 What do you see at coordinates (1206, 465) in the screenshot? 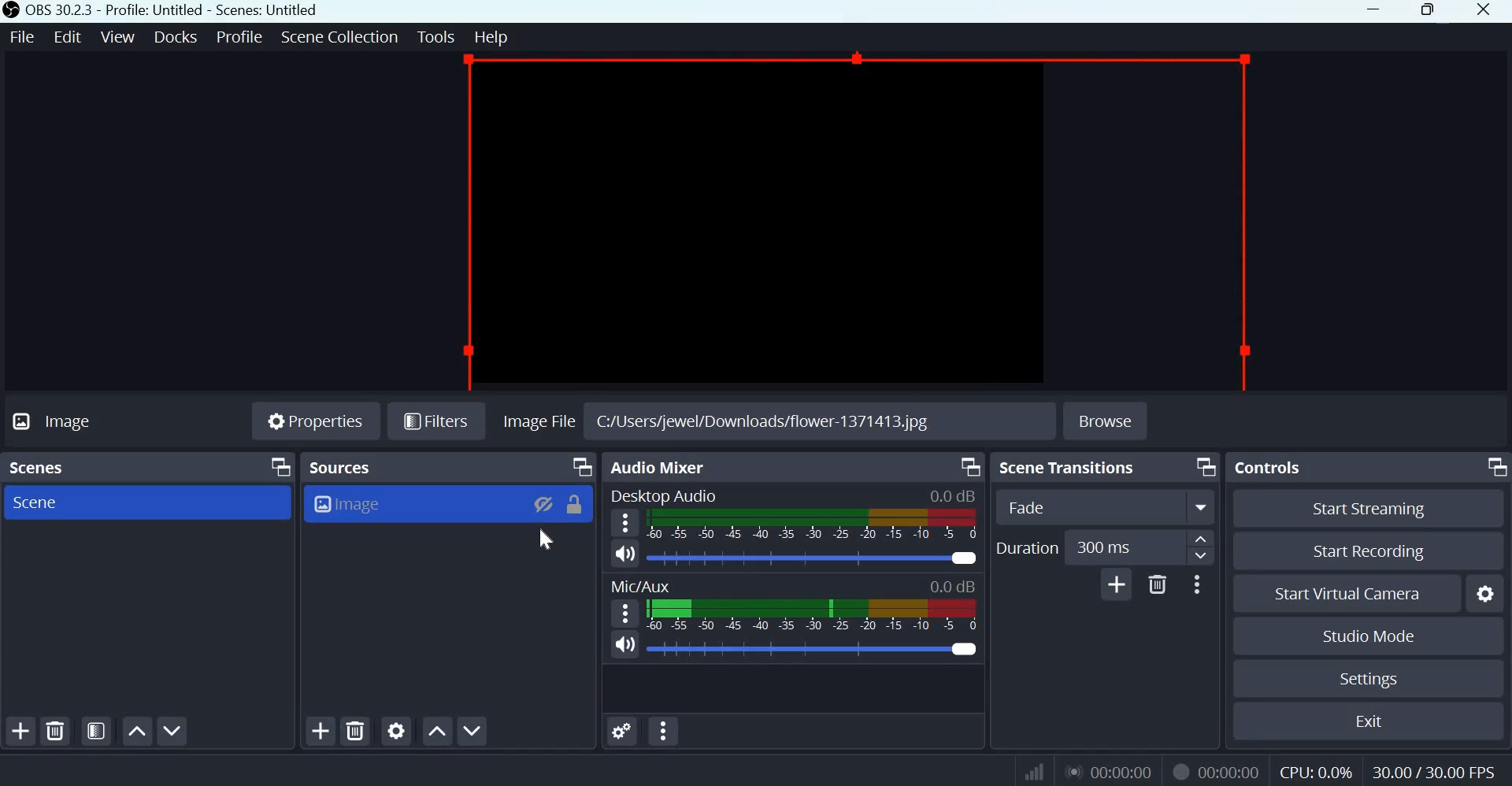
I see `Dock Options icon` at bounding box center [1206, 465].